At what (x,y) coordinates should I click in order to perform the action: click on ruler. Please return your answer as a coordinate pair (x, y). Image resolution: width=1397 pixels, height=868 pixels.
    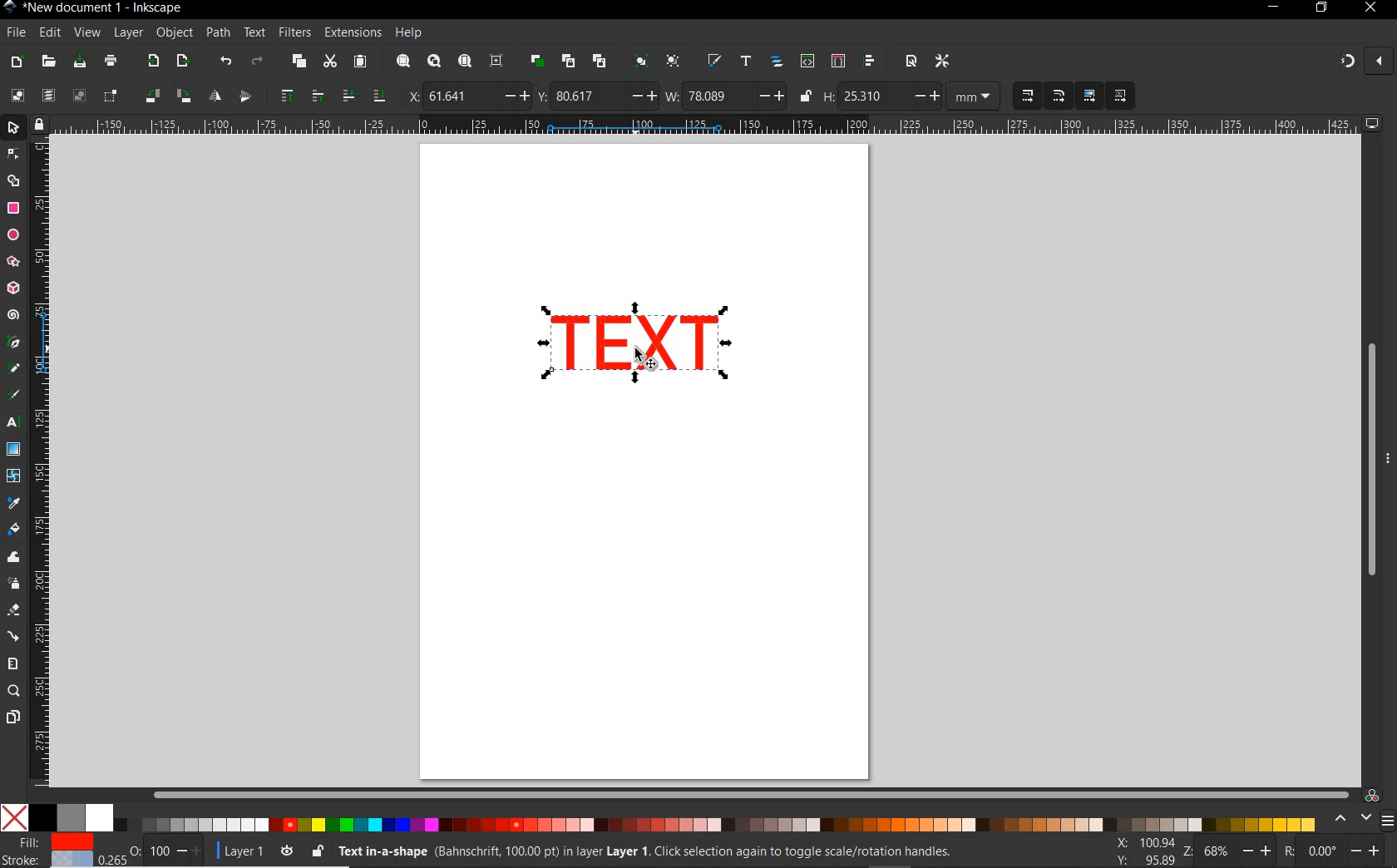
    Looking at the image, I should click on (707, 126).